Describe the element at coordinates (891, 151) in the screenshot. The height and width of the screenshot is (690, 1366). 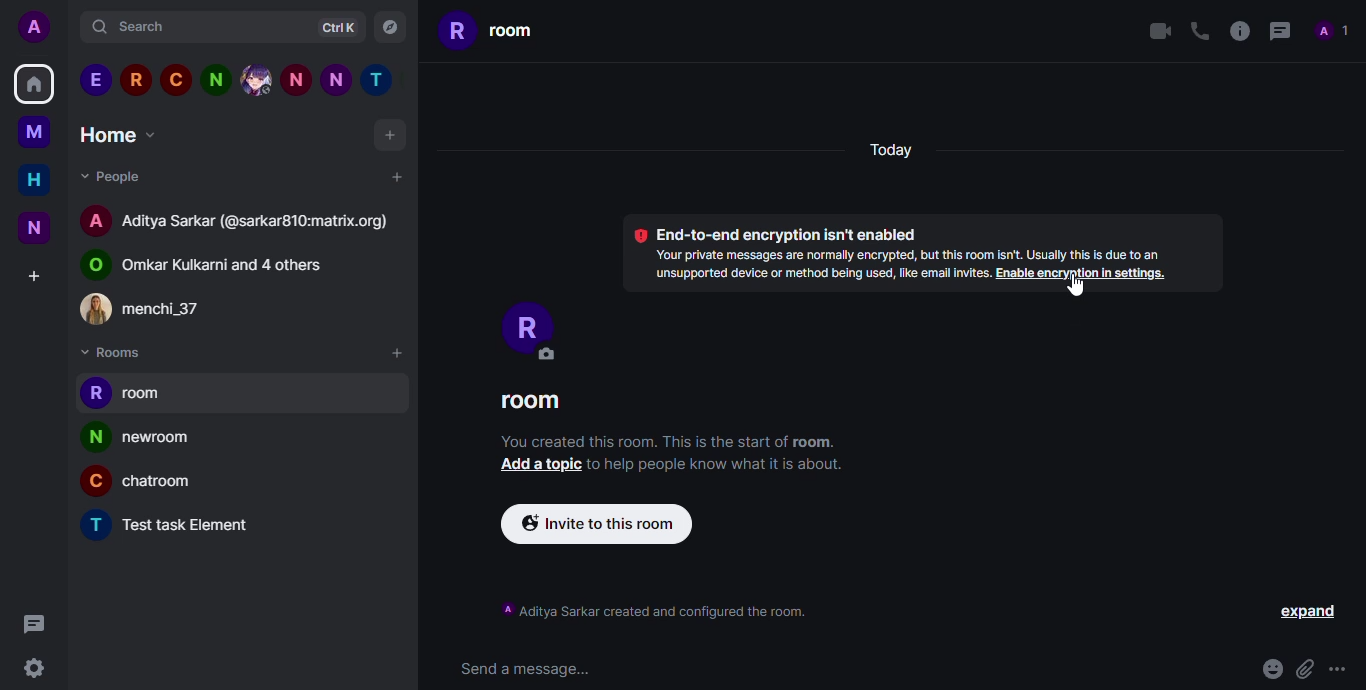
I see `today` at that location.